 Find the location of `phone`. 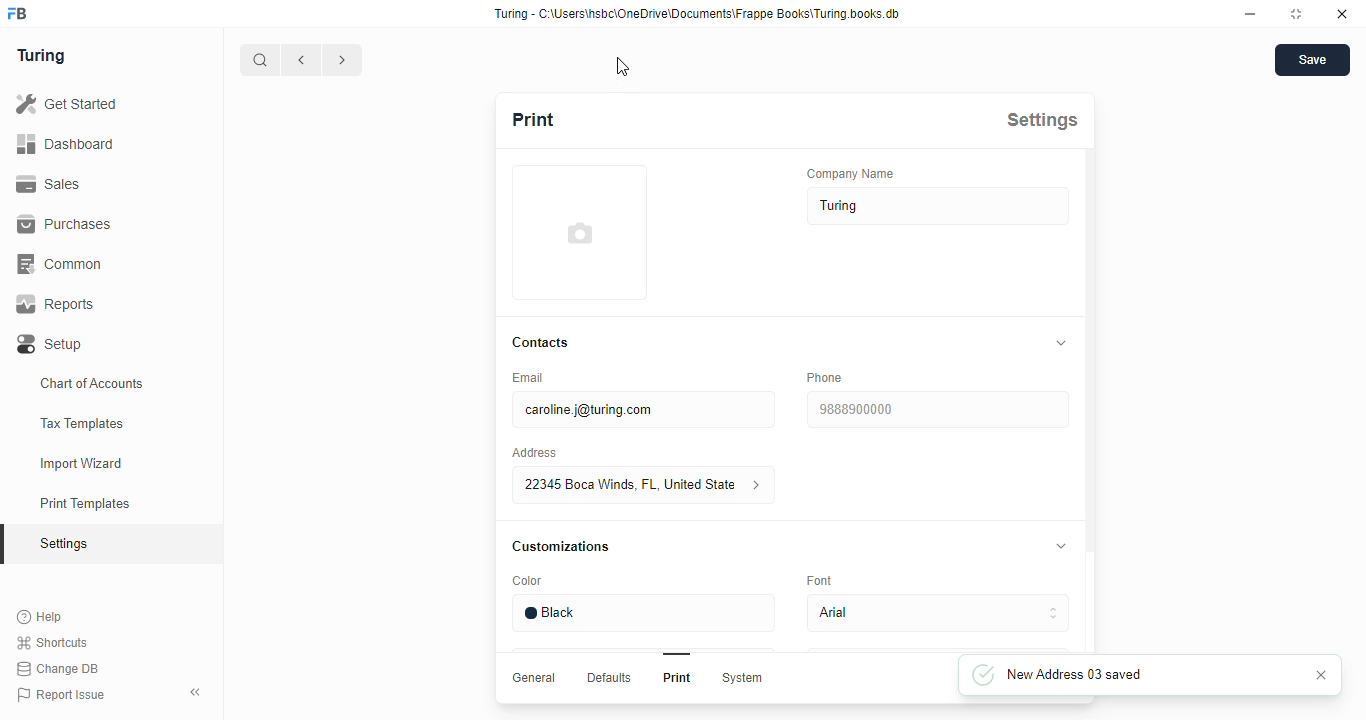

phone is located at coordinates (826, 377).